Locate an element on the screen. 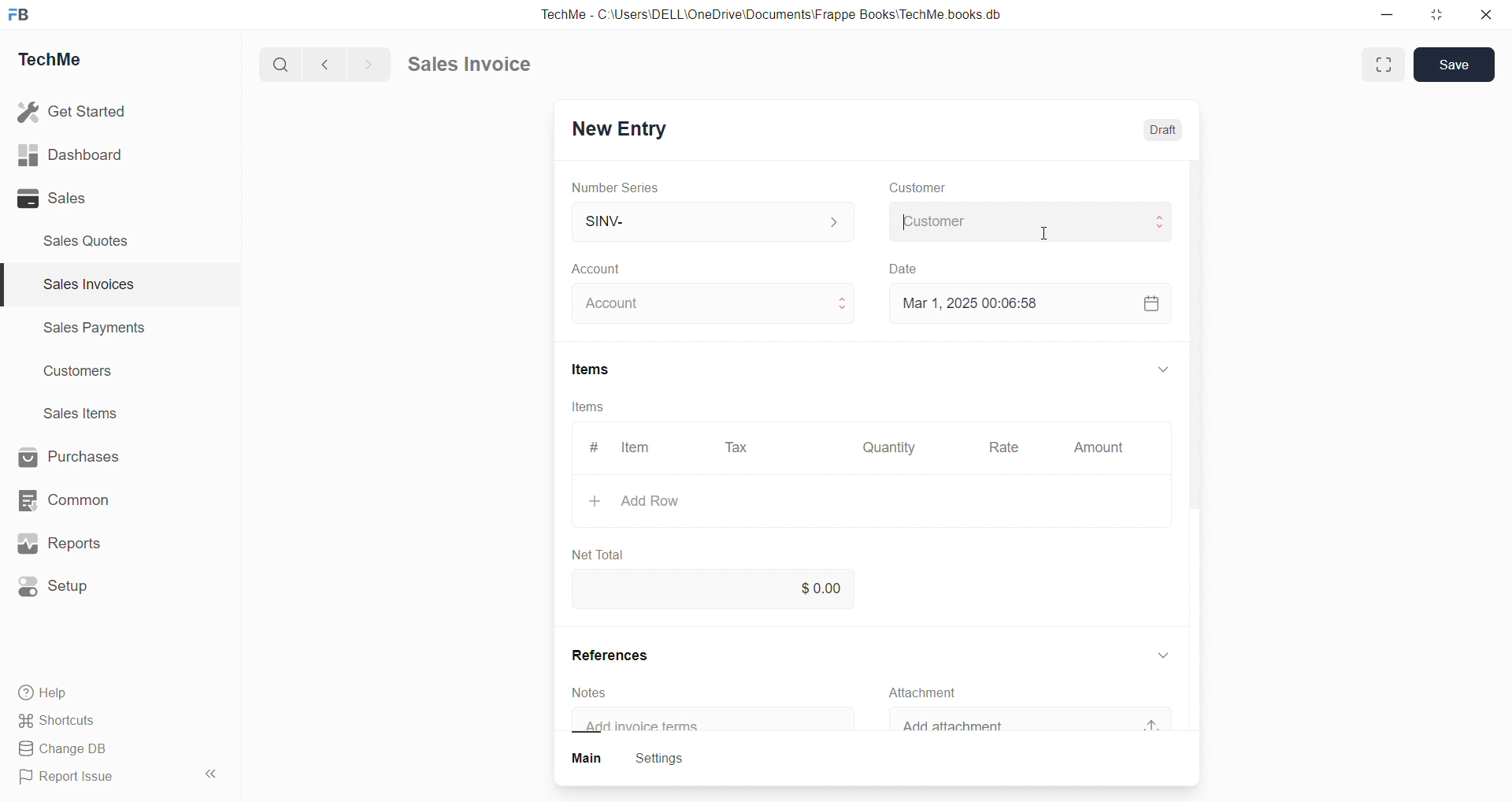 The height and width of the screenshot is (802, 1512). Sales Invoices is located at coordinates (82, 287).